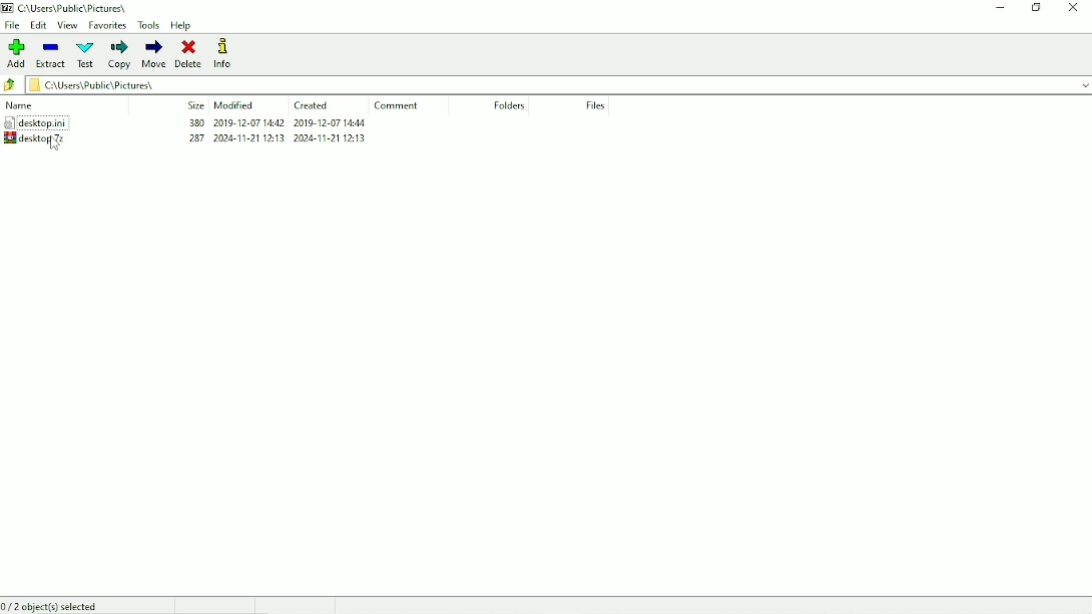 This screenshot has height=614, width=1092. What do you see at coordinates (225, 53) in the screenshot?
I see `Info` at bounding box center [225, 53].